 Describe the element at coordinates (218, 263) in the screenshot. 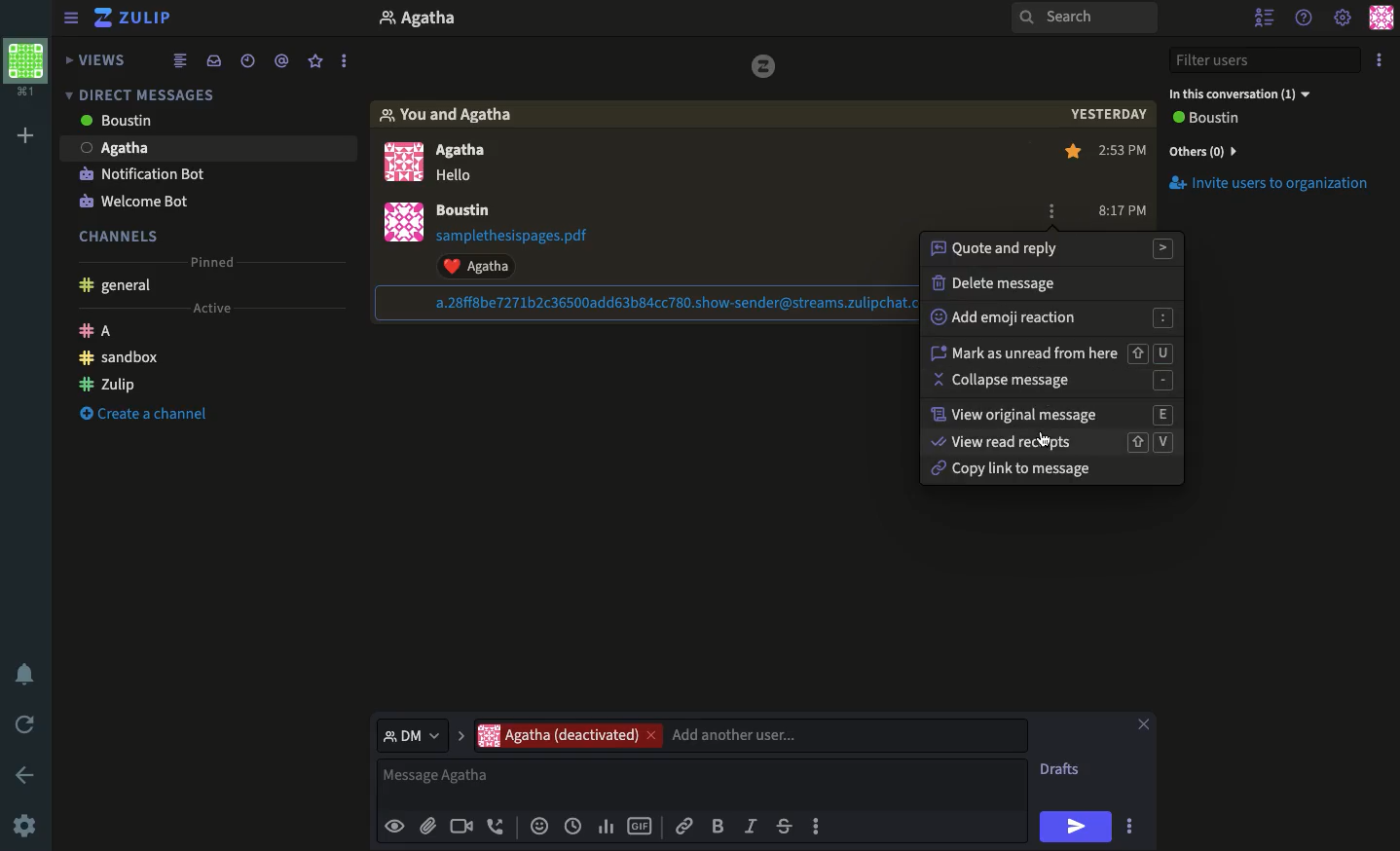

I see `Pinned` at that location.